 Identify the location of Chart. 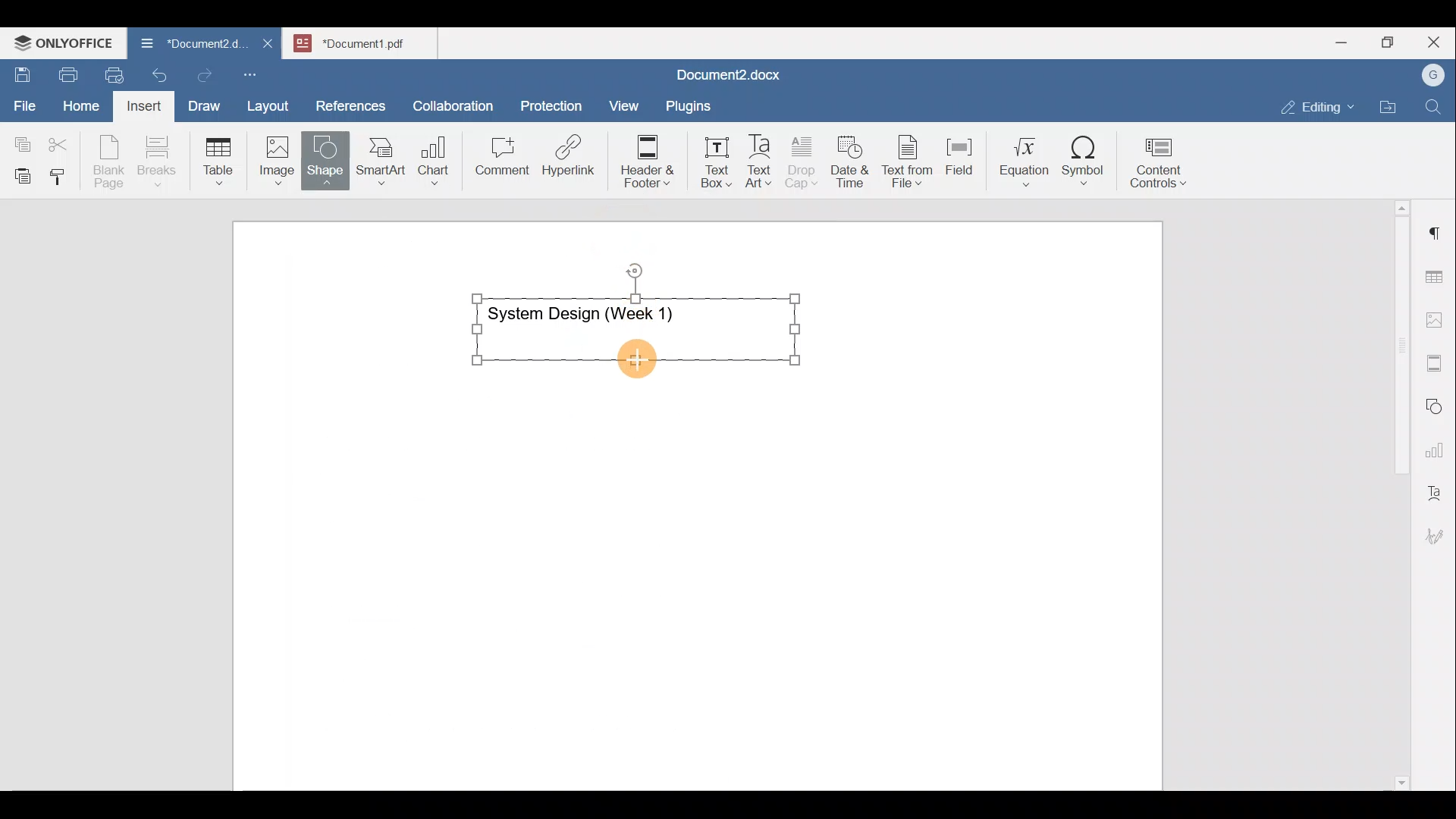
(431, 162).